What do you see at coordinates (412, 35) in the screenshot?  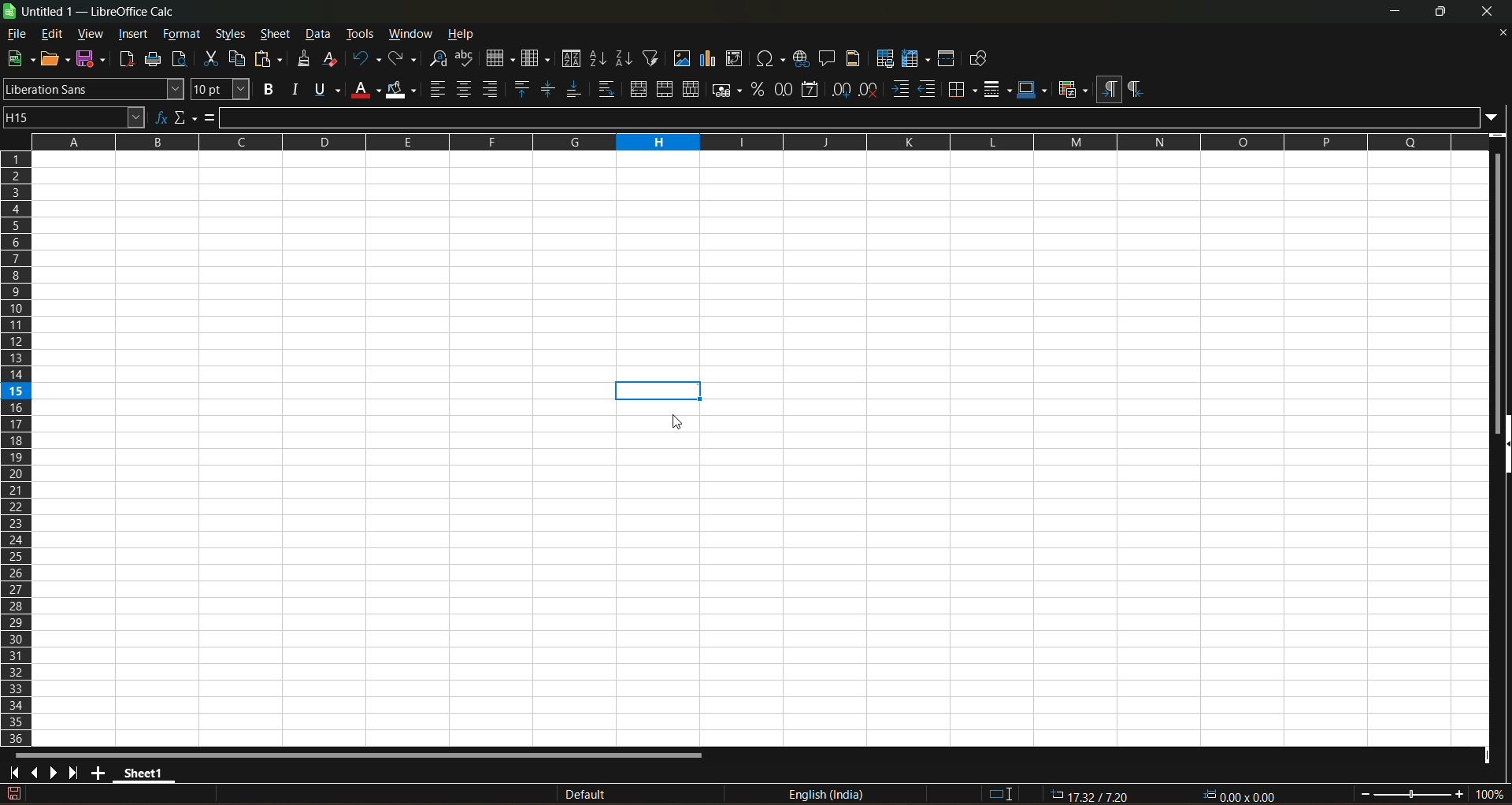 I see `window` at bounding box center [412, 35].